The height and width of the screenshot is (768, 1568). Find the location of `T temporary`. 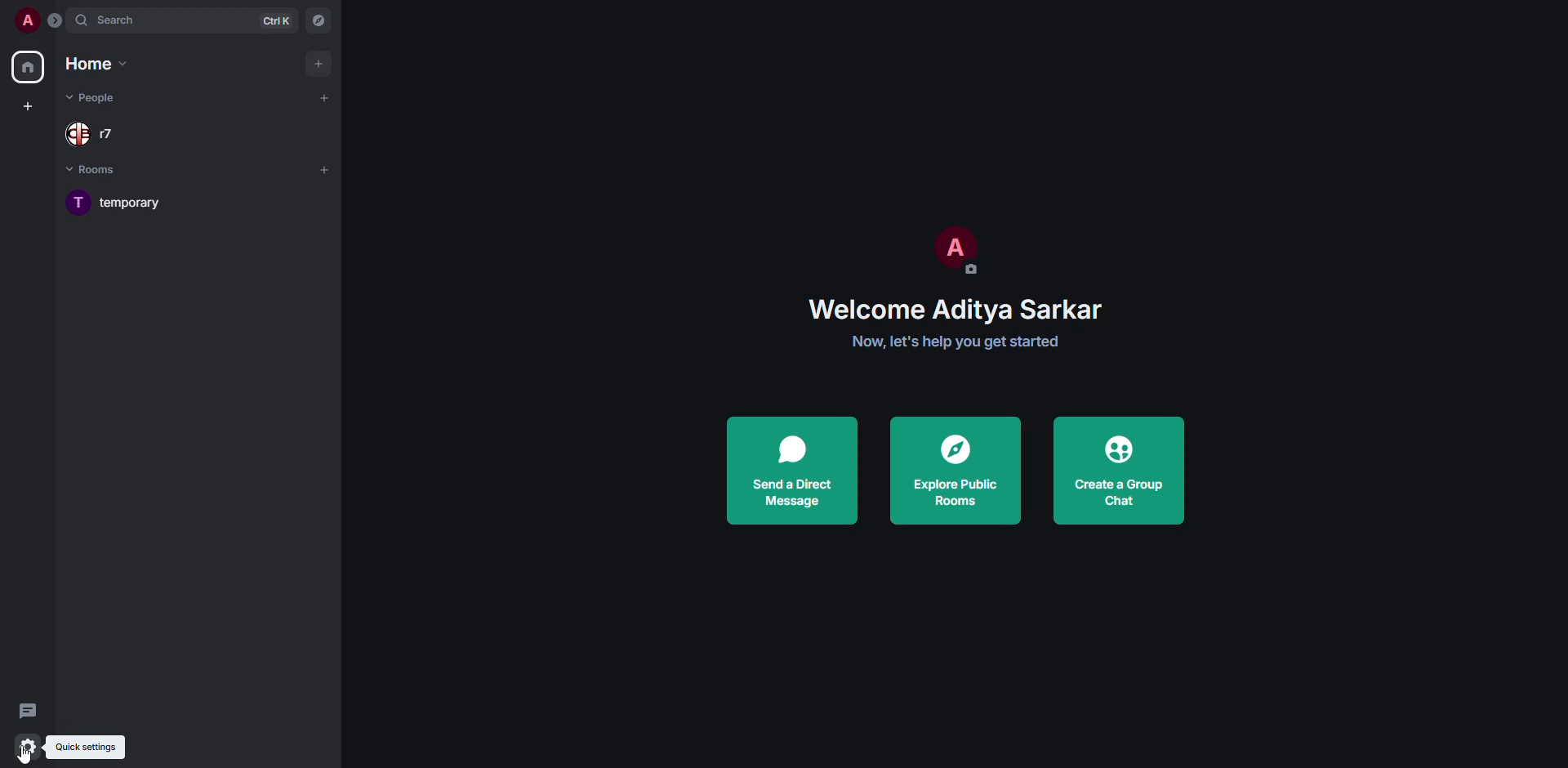

T temporary is located at coordinates (117, 206).